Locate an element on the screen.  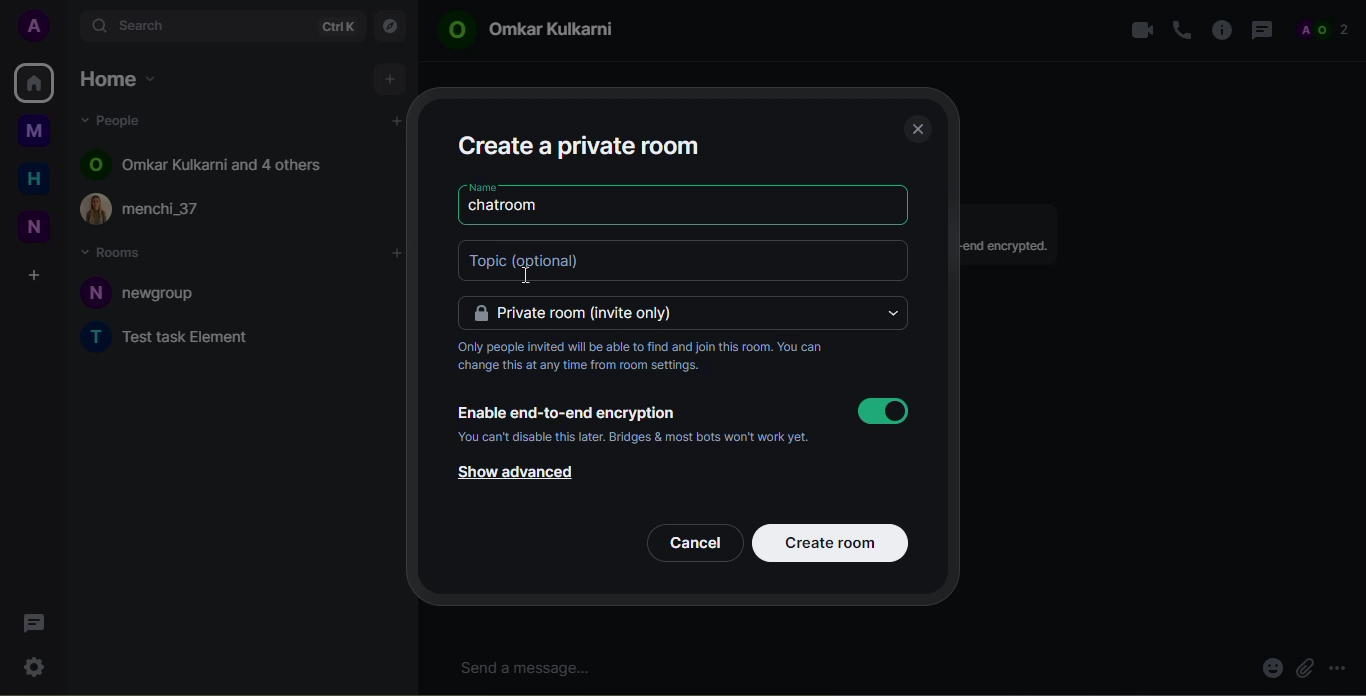
enable end-to-end encryption is located at coordinates (568, 411).